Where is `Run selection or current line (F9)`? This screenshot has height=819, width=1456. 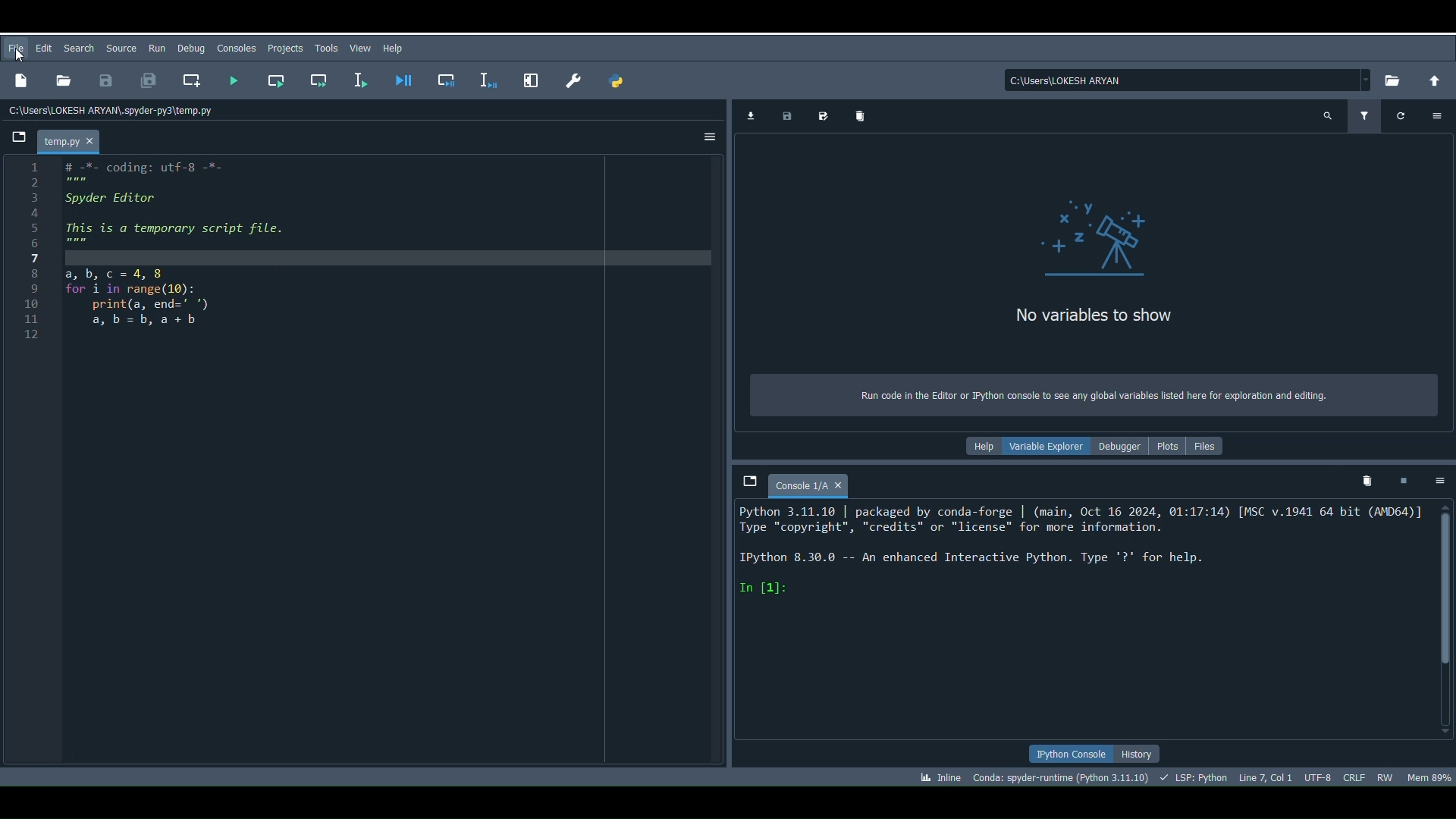 Run selection or current line (F9) is located at coordinates (362, 78).